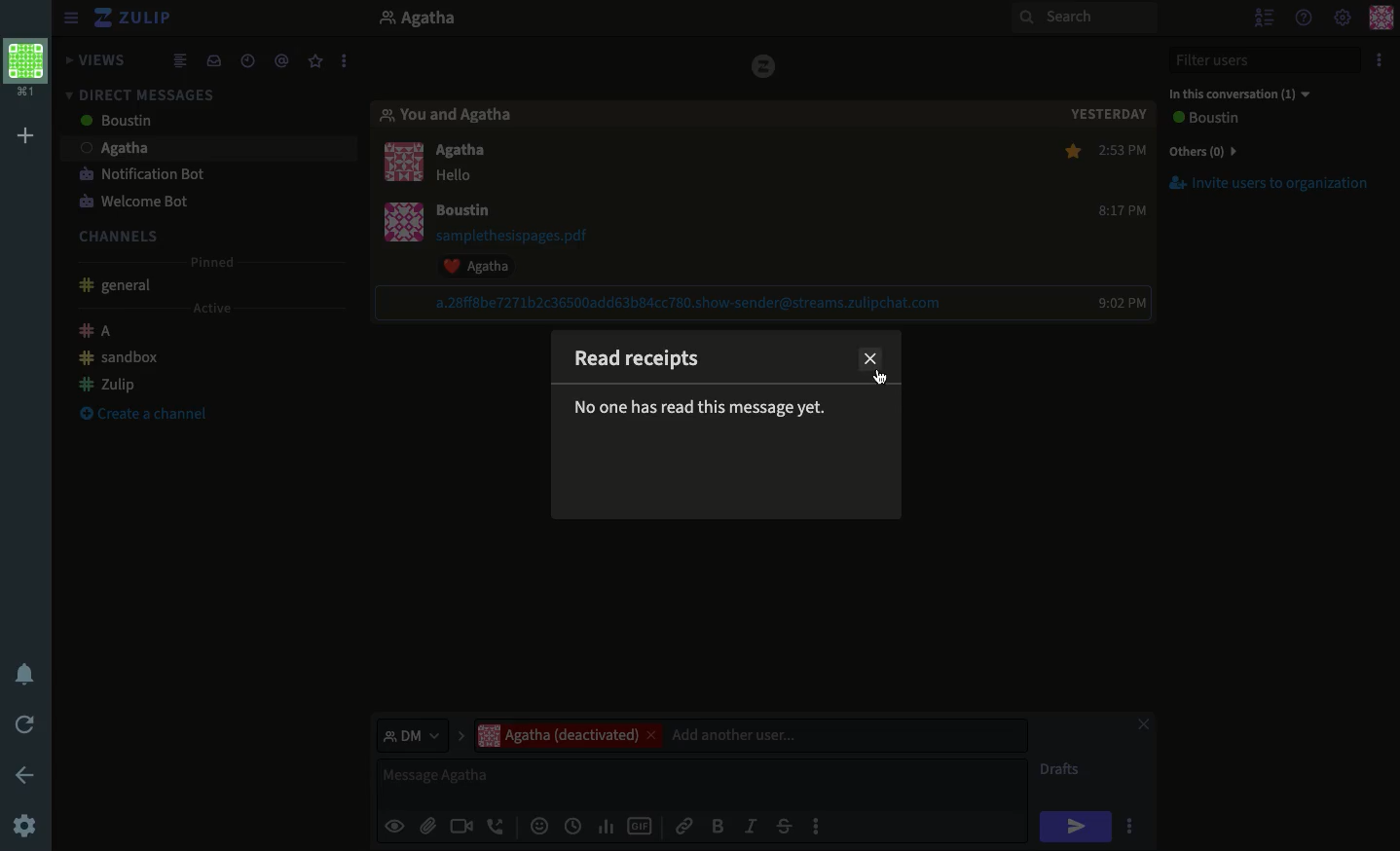 The width and height of the screenshot is (1400, 851). Describe the element at coordinates (21, 773) in the screenshot. I see `Back` at that location.